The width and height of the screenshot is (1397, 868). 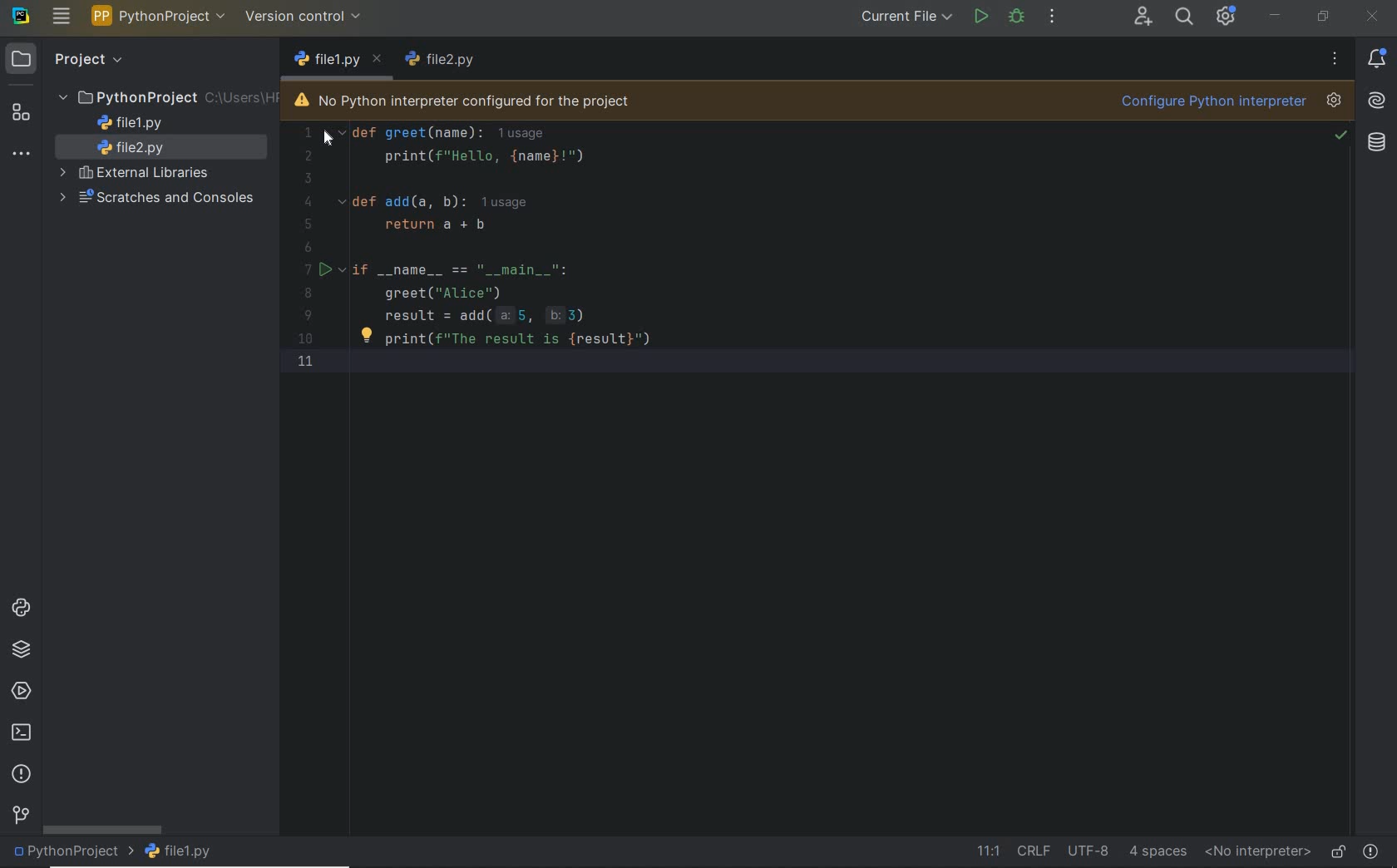 I want to click on file name 2, so click(x=137, y=149).